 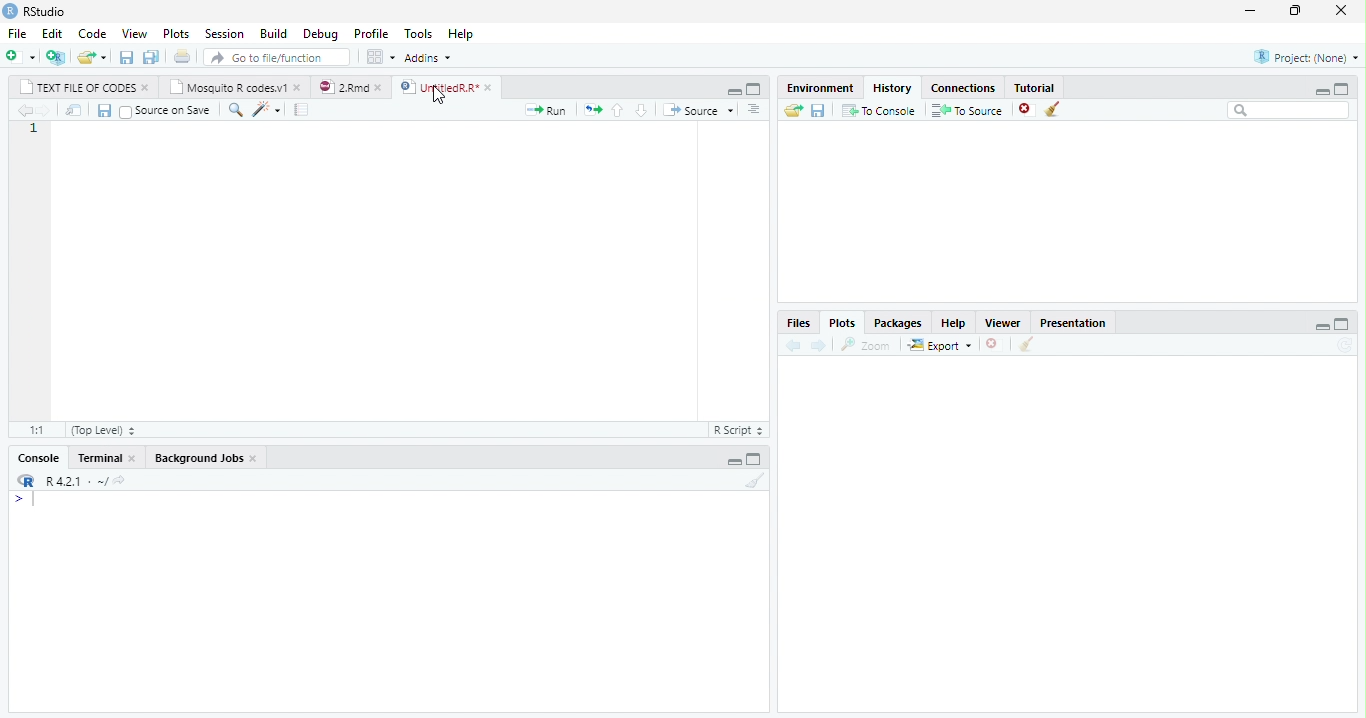 I want to click on maximize, so click(x=1295, y=11).